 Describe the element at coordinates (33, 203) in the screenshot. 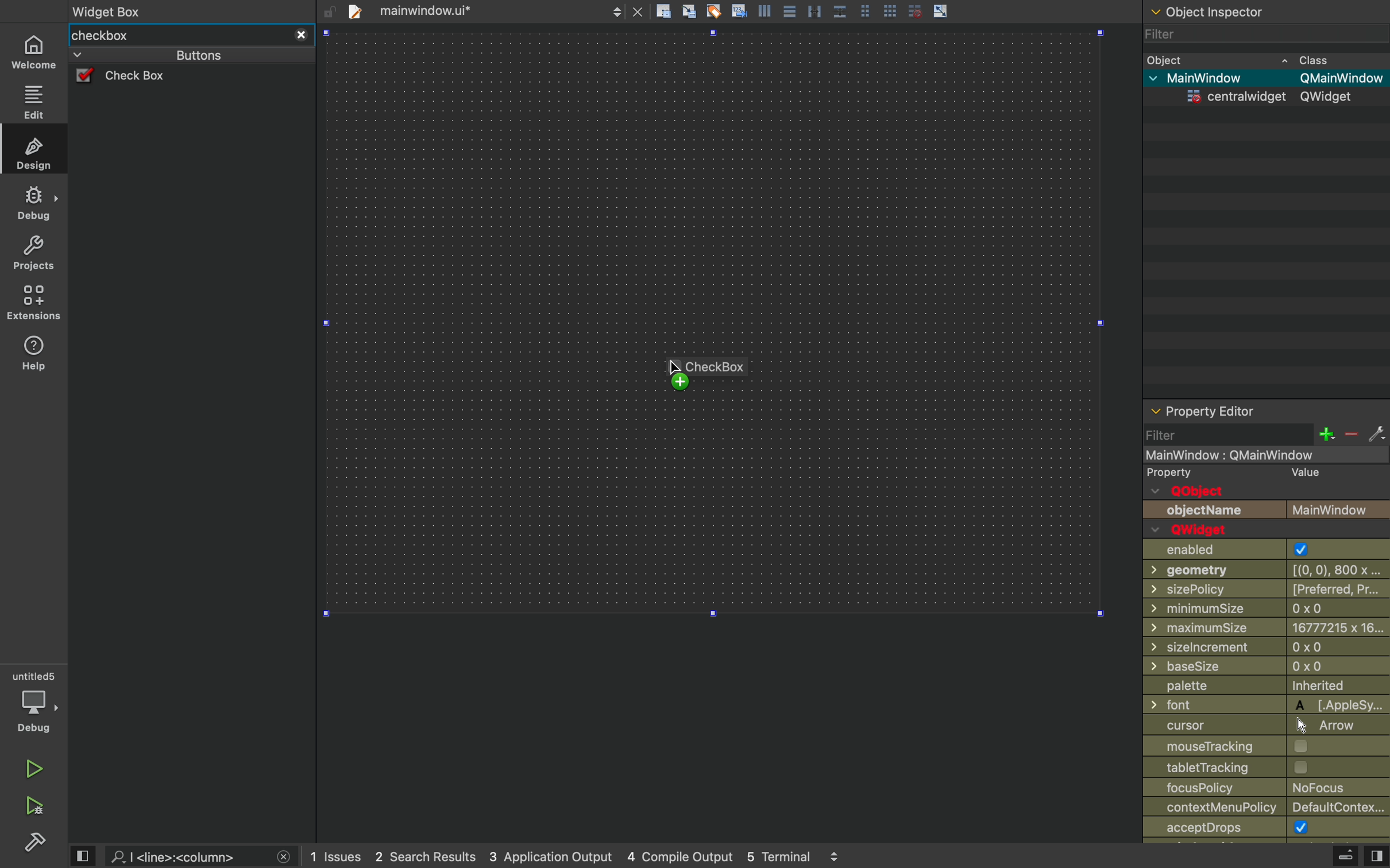

I see `debug` at that location.